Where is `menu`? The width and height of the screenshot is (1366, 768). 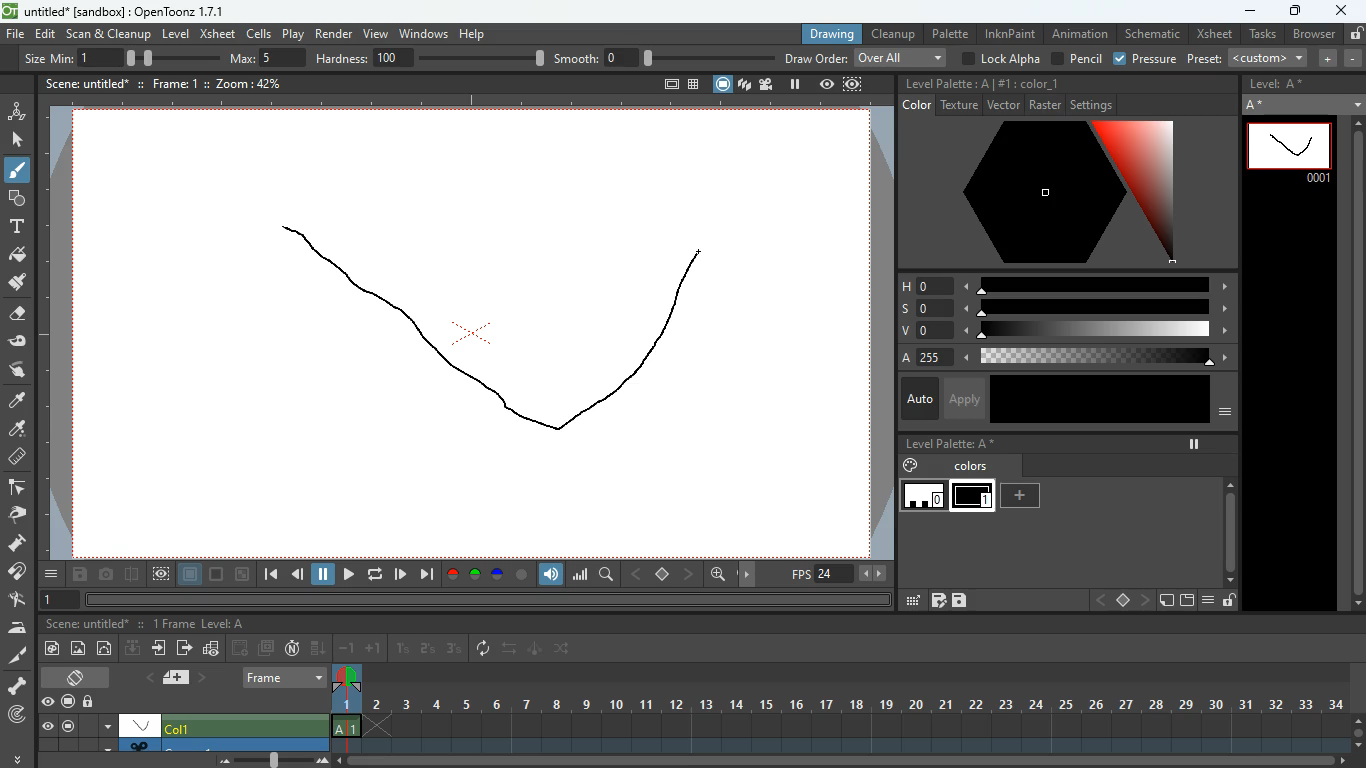
menu is located at coordinates (1207, 601).